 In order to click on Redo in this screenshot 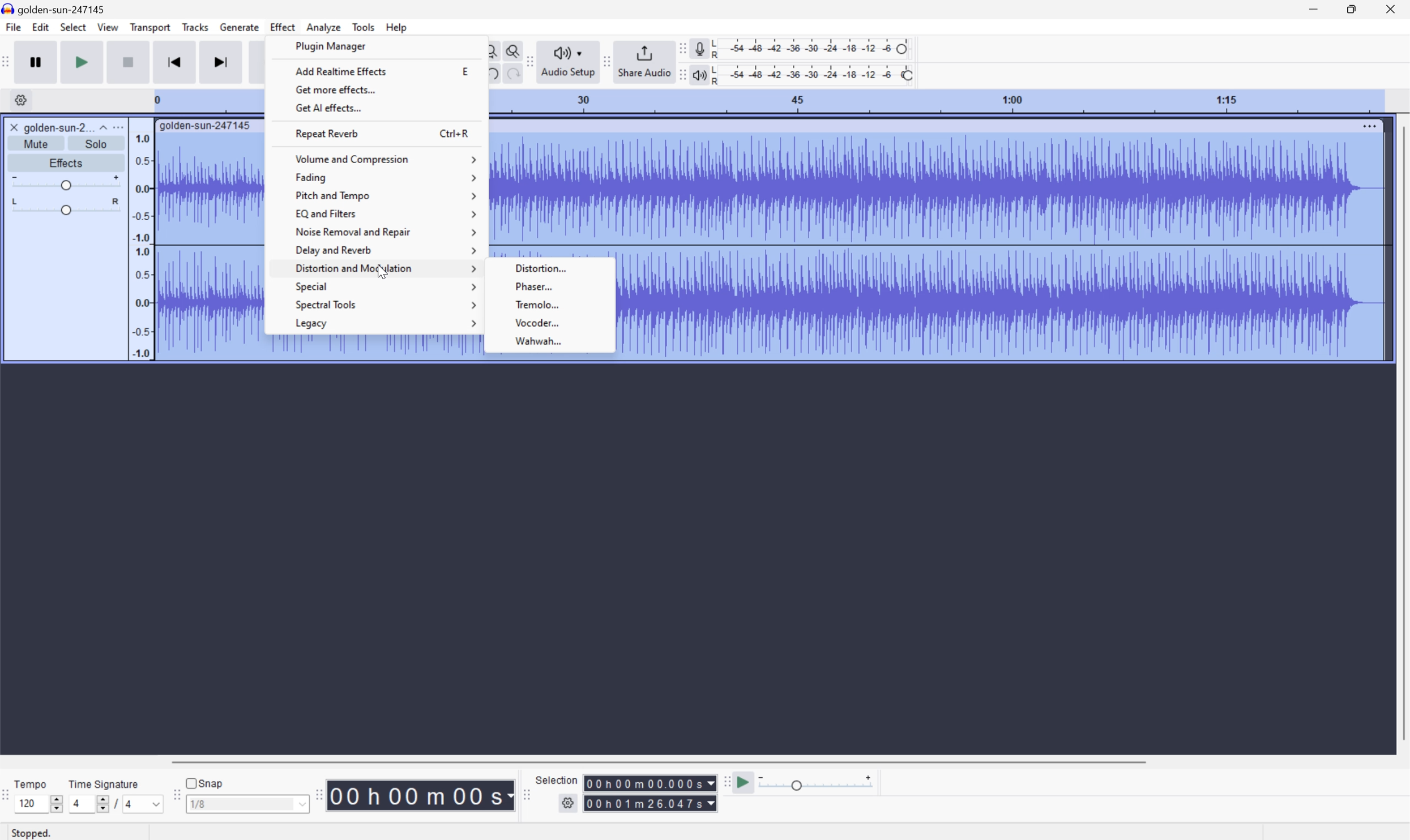, I will do `click(512, 75)`.